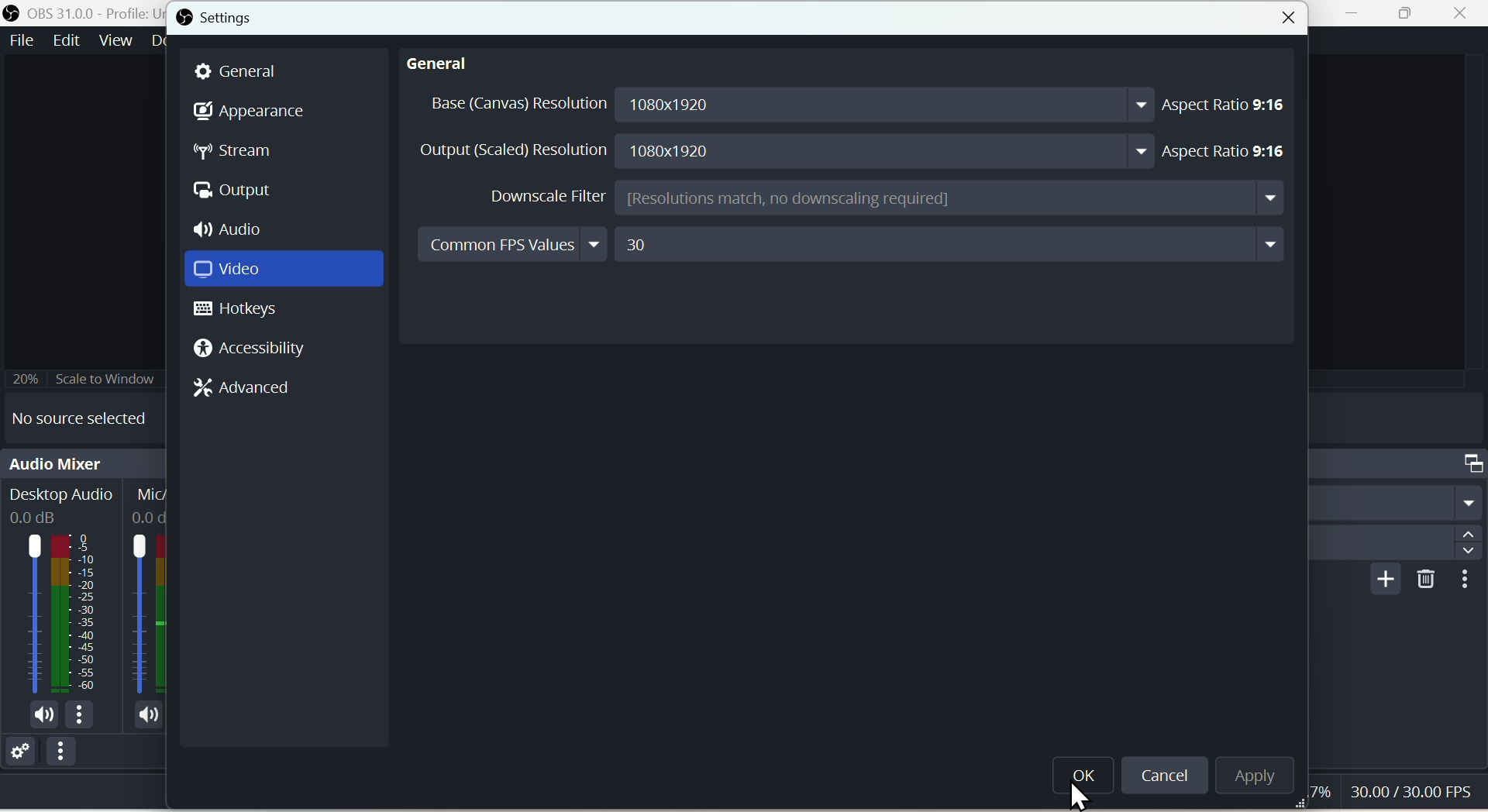 This screenshot has width=1488, height=812. Describe the element at coordinates (245, 311) in the screenshot. I see `Hot keys` at that location.